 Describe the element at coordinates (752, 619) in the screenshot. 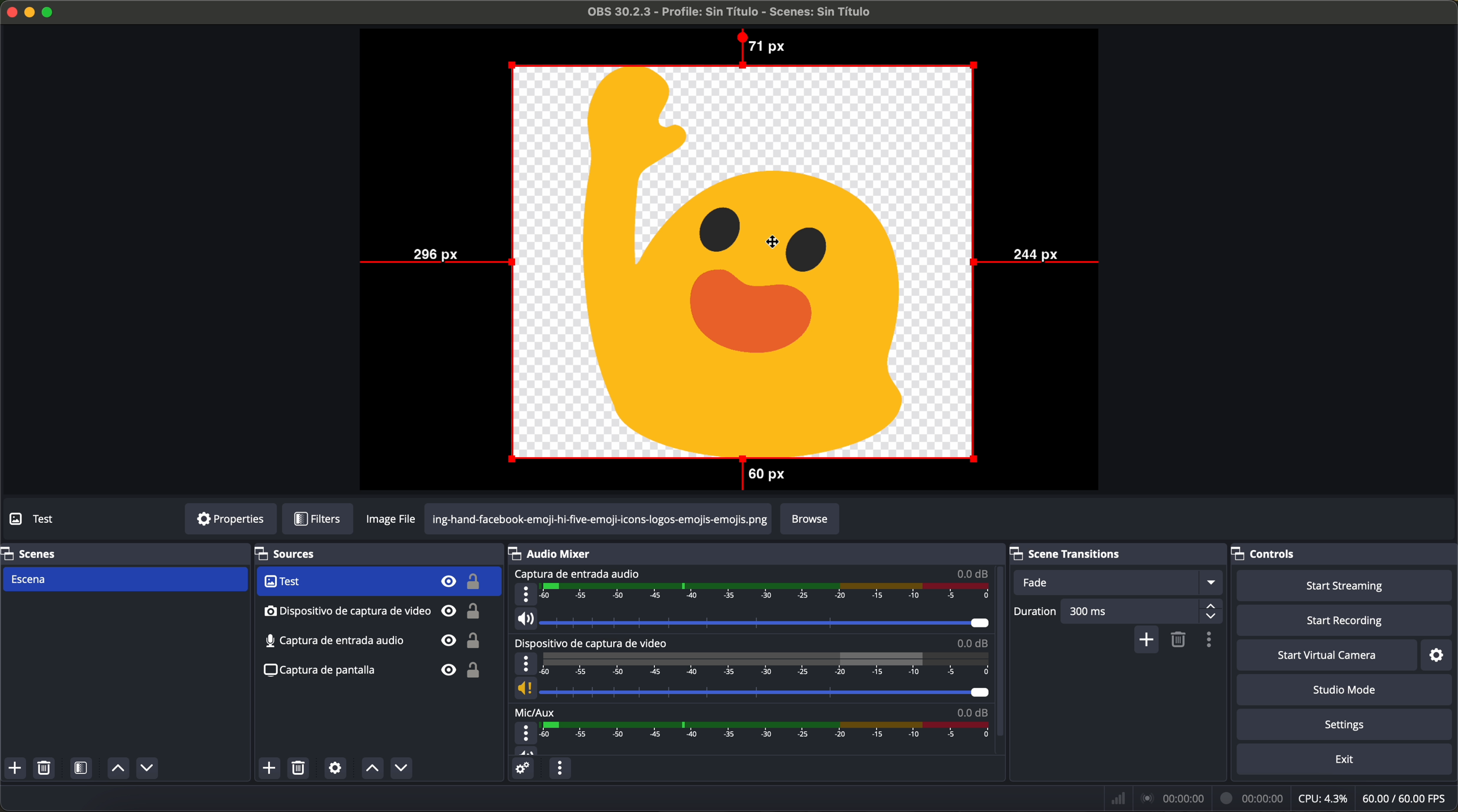

I see `vol` at that location.